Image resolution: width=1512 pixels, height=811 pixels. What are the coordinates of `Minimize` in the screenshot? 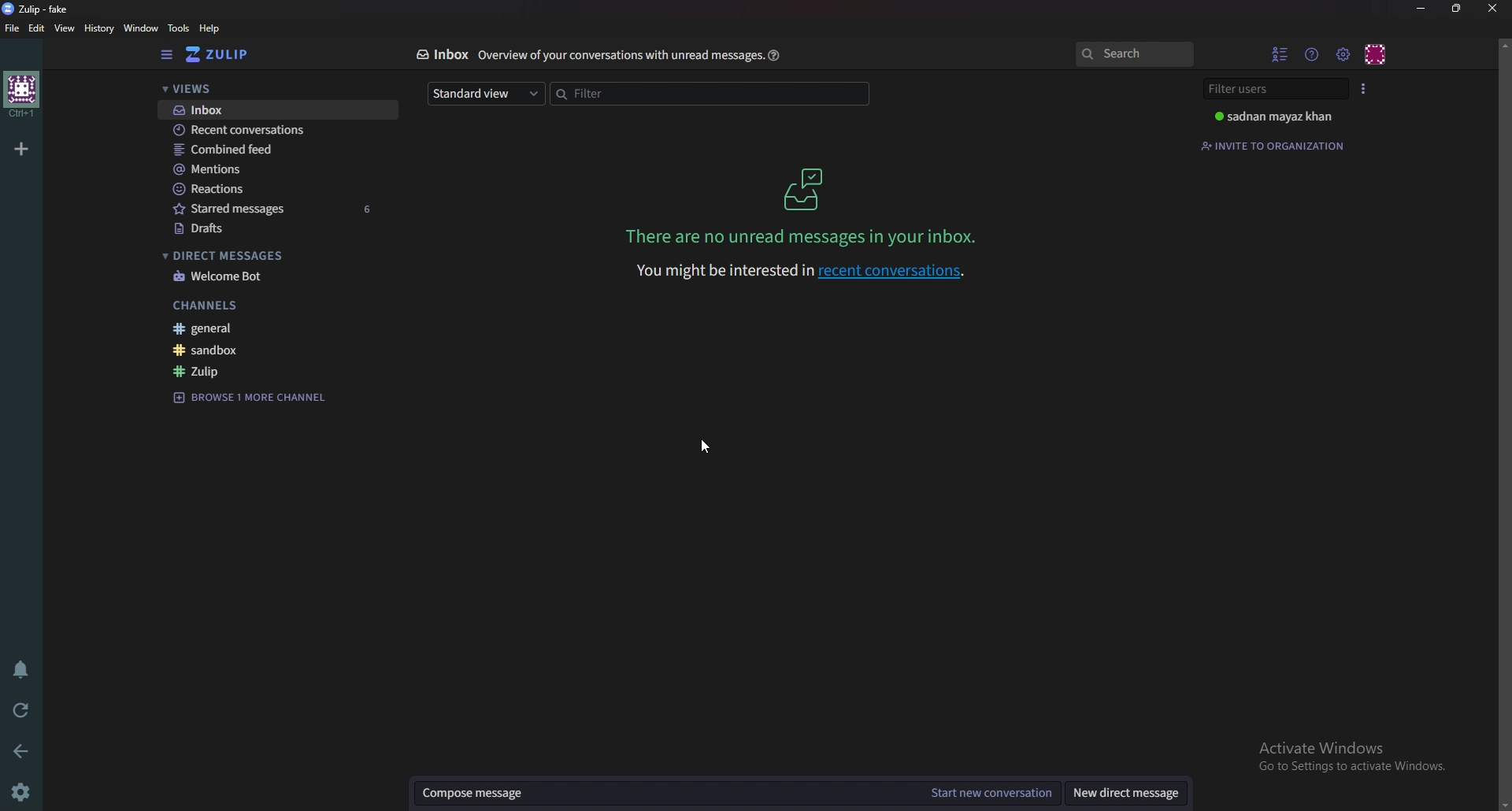 It's located at (1421, 9).